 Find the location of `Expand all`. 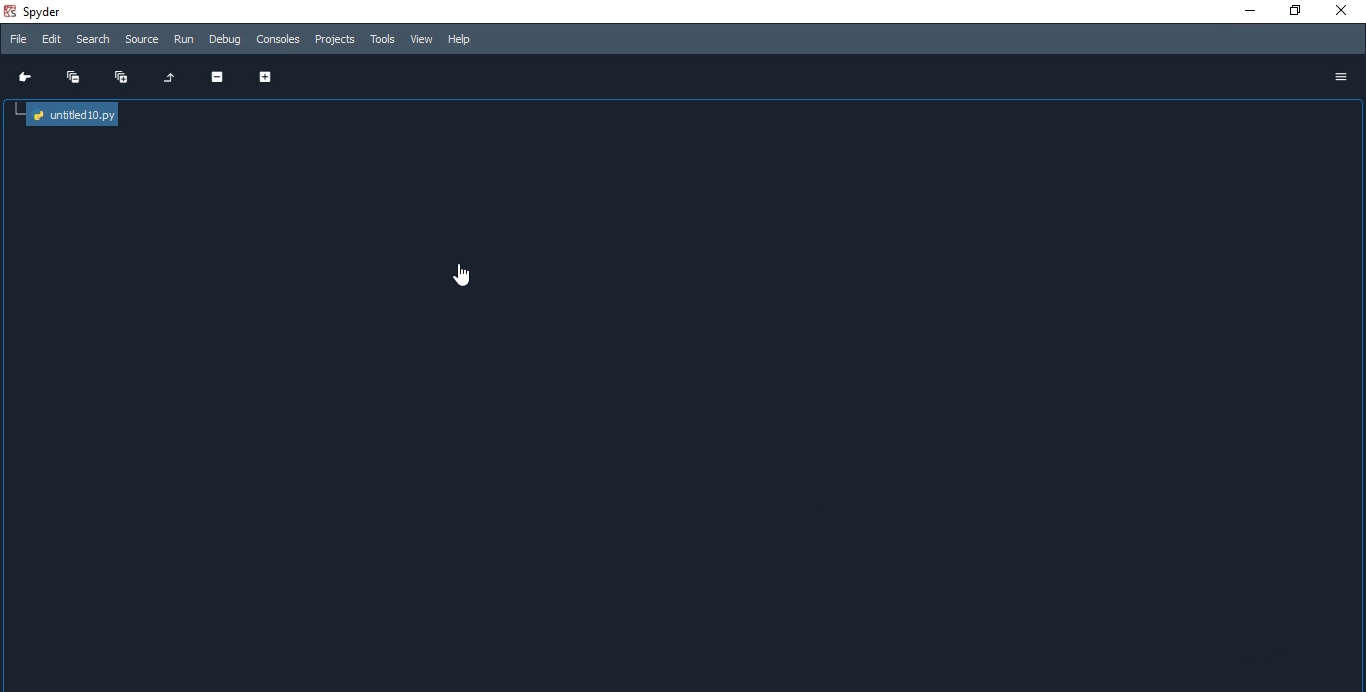

Expand all is located at coordinates (117, 79).